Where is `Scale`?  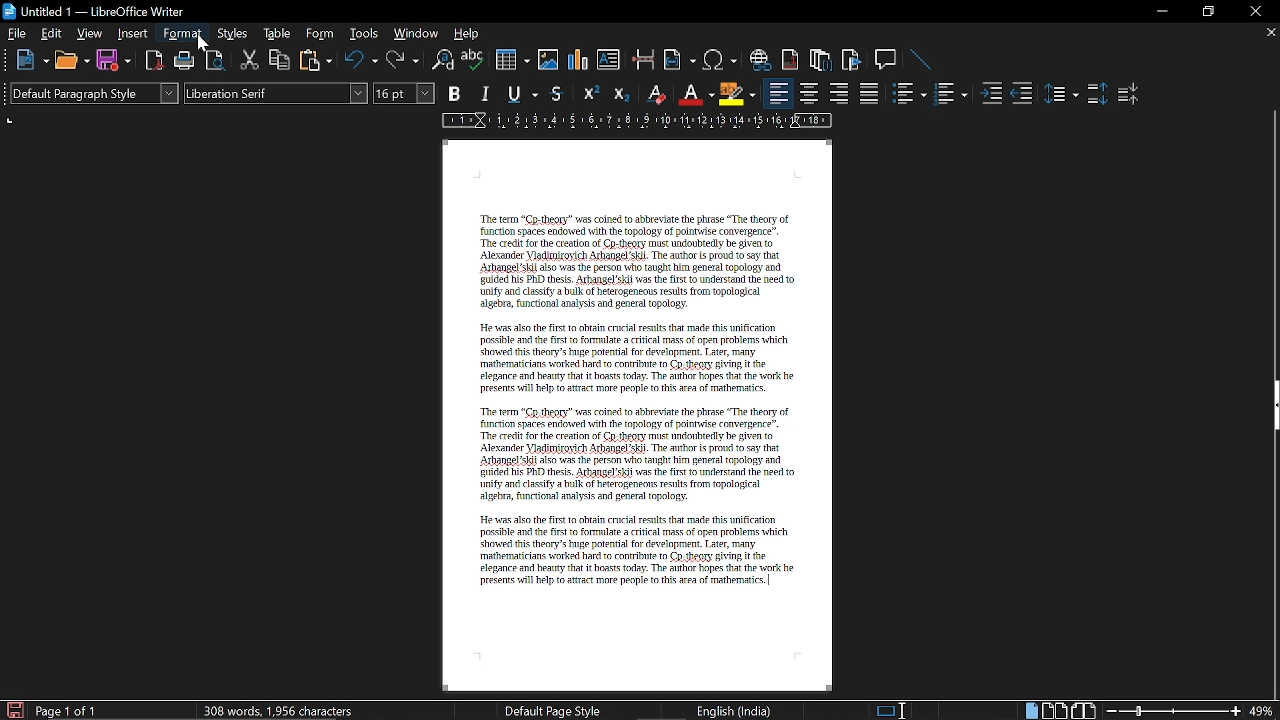 Scale is located at coordinates (637, 121).